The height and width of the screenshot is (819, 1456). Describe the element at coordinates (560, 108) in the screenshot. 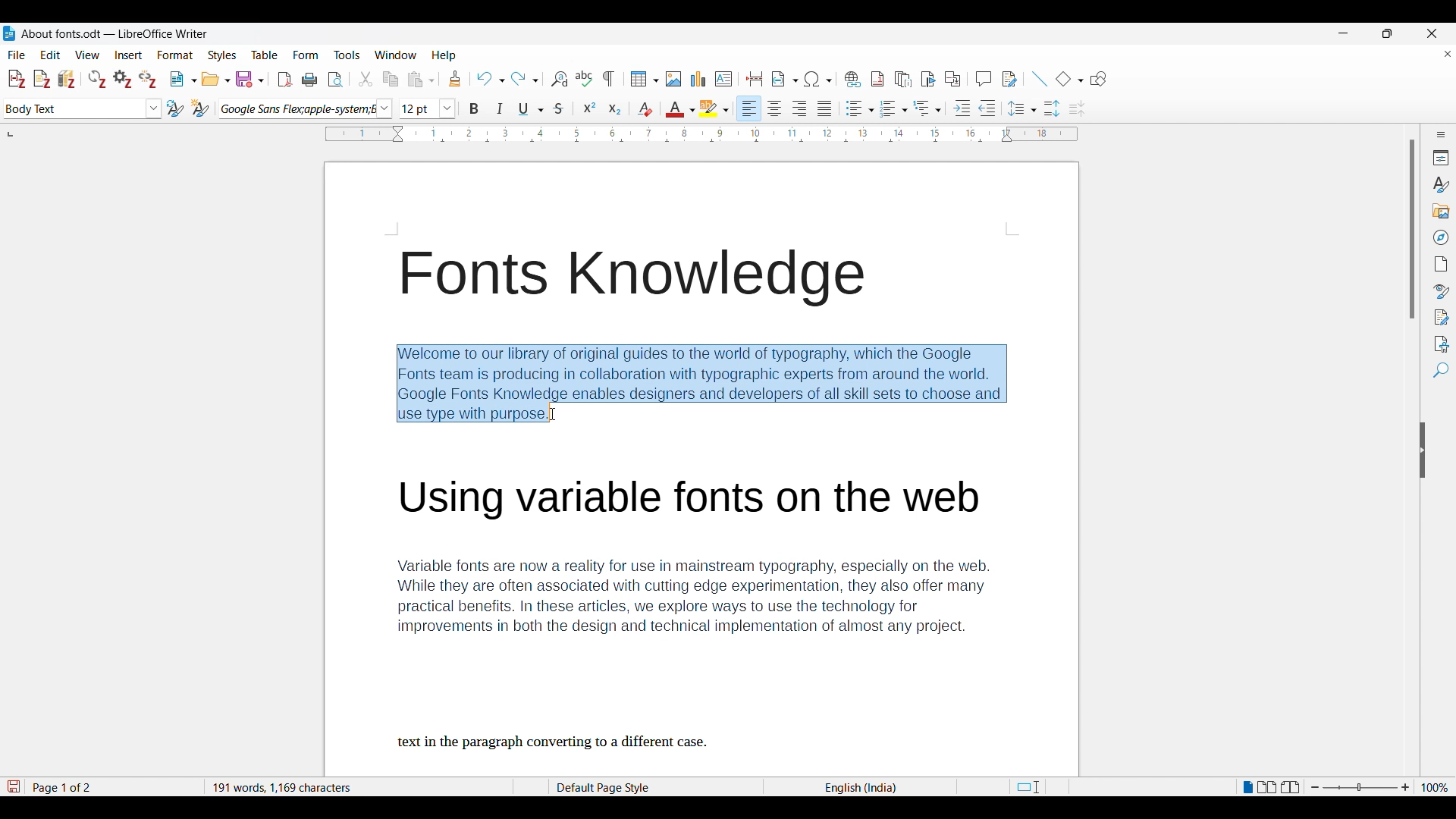

I see `Strike through` at that location.